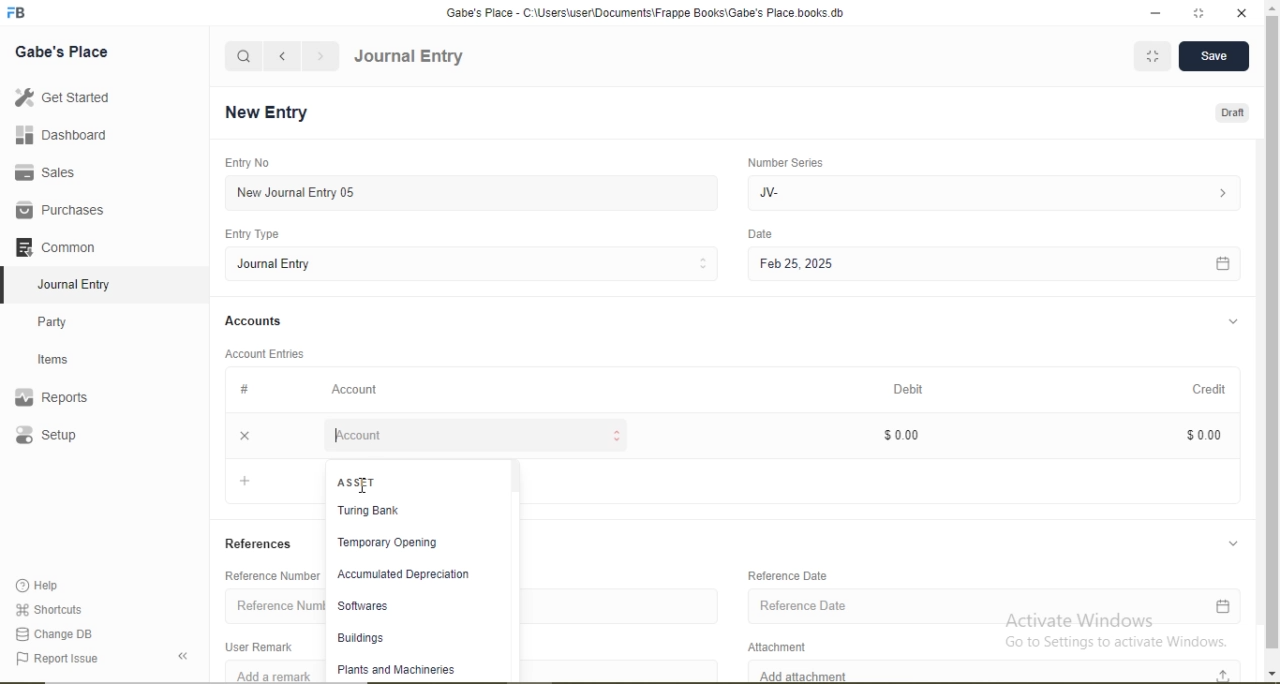 The image size is (1280, 684). Describe the element at coordinates (402, 543) in the screenshot. I see `Temporary Opening` at that location.